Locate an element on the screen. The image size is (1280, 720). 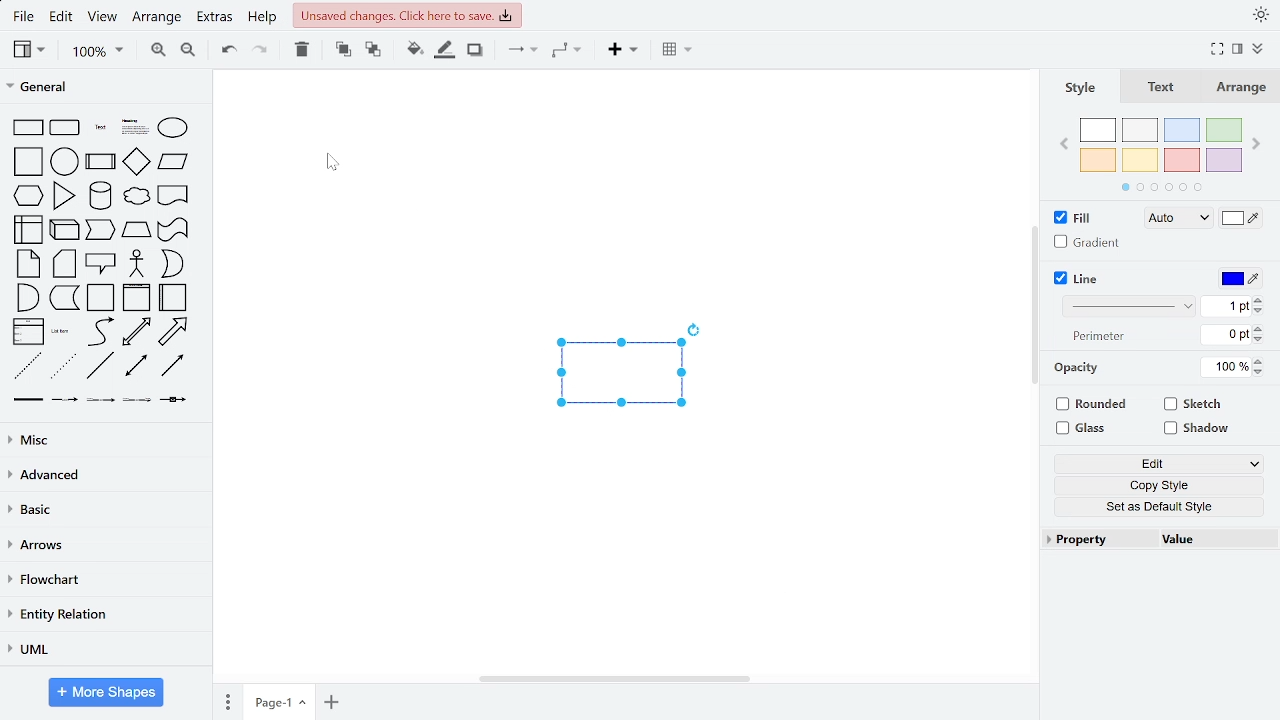
line is located at coordinates (1080, 280).